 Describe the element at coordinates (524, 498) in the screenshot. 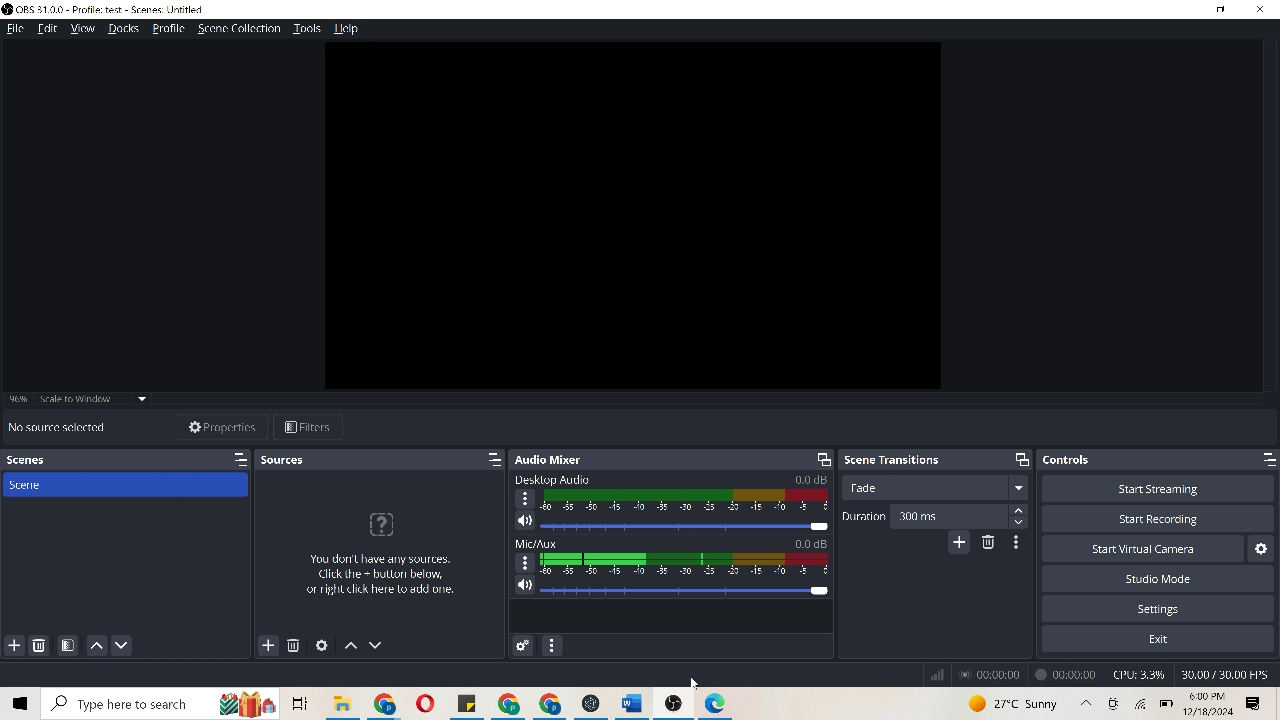

I see `options` at that location.